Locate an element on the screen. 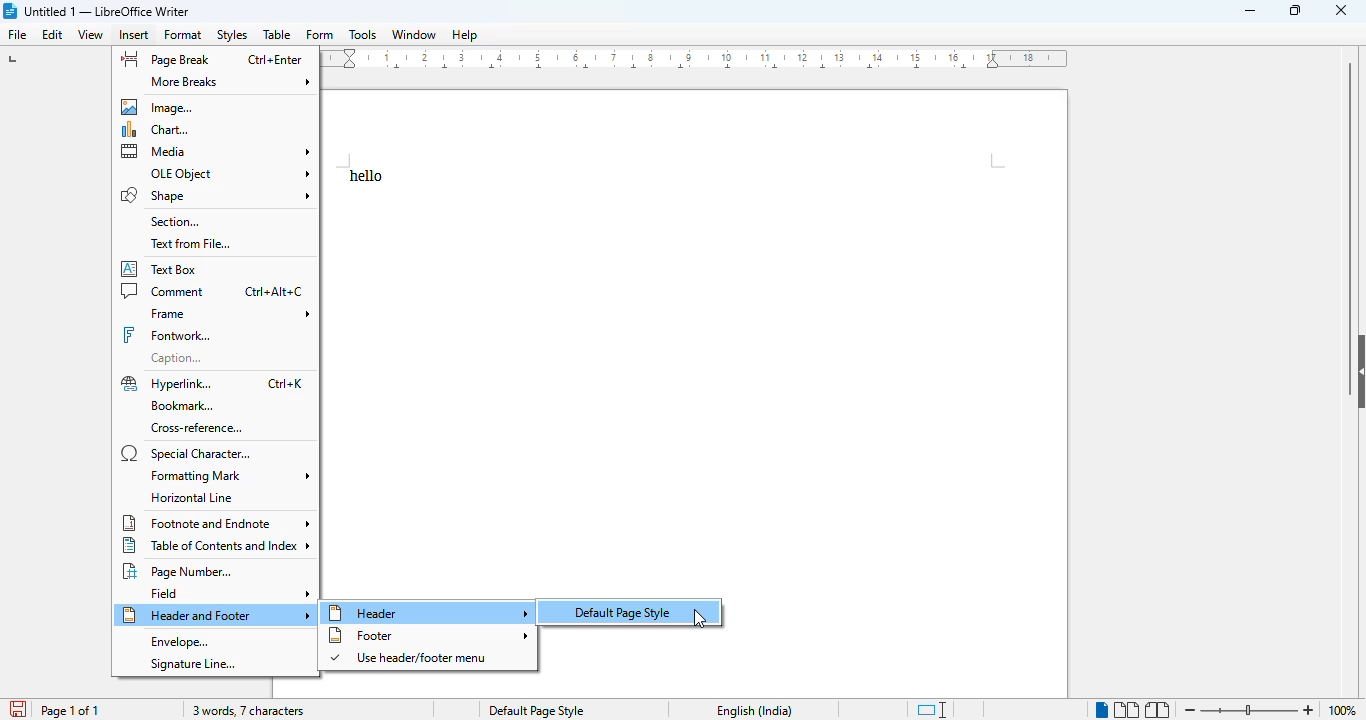 This screenshot has width=1366, height=720. single-page view is located at coordinates (1101, 709).